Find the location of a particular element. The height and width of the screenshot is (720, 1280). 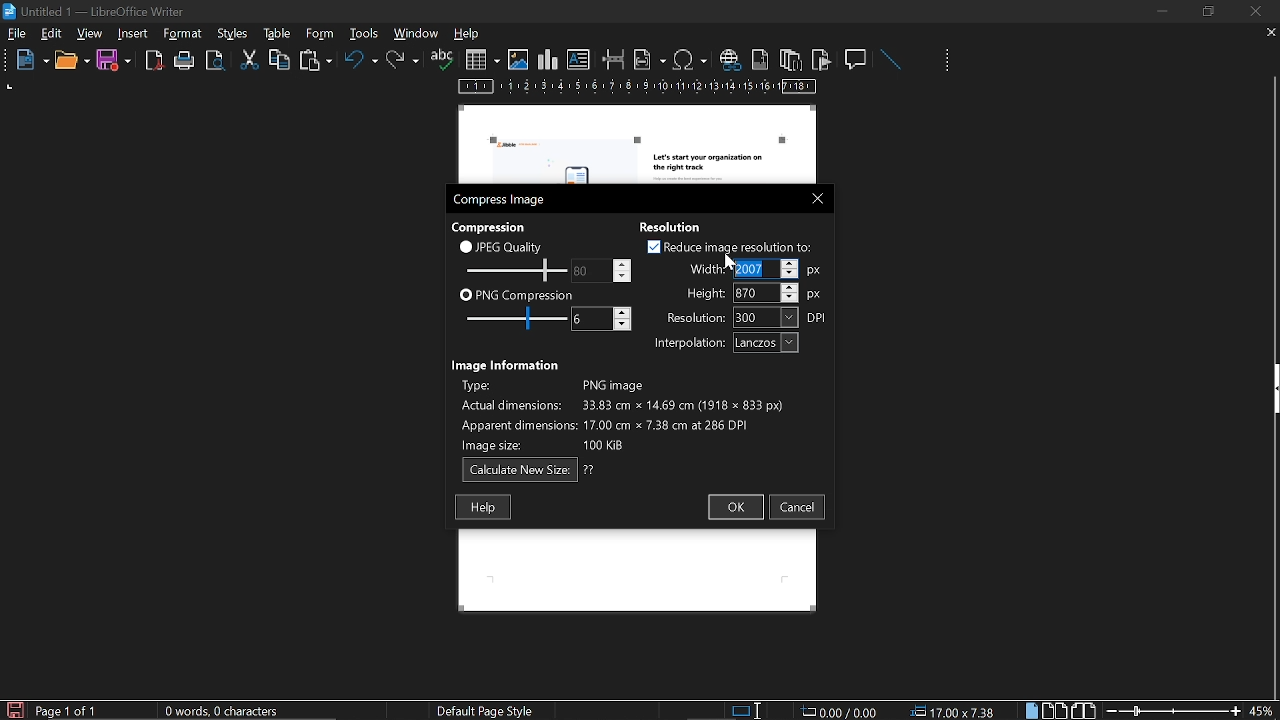

insert page break is located at coordinates (614, 60).